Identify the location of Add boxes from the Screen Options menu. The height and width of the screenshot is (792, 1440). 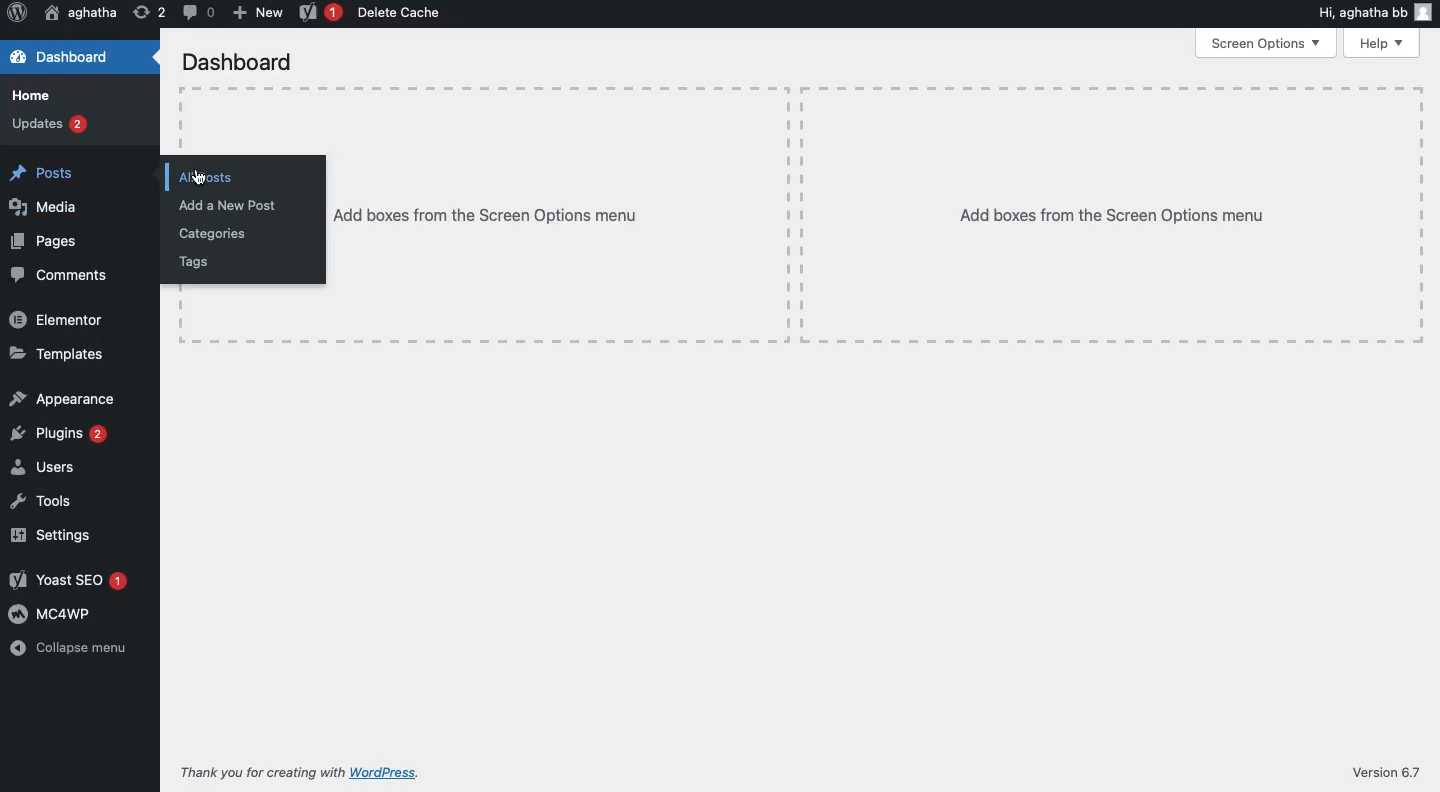
(485, 214).